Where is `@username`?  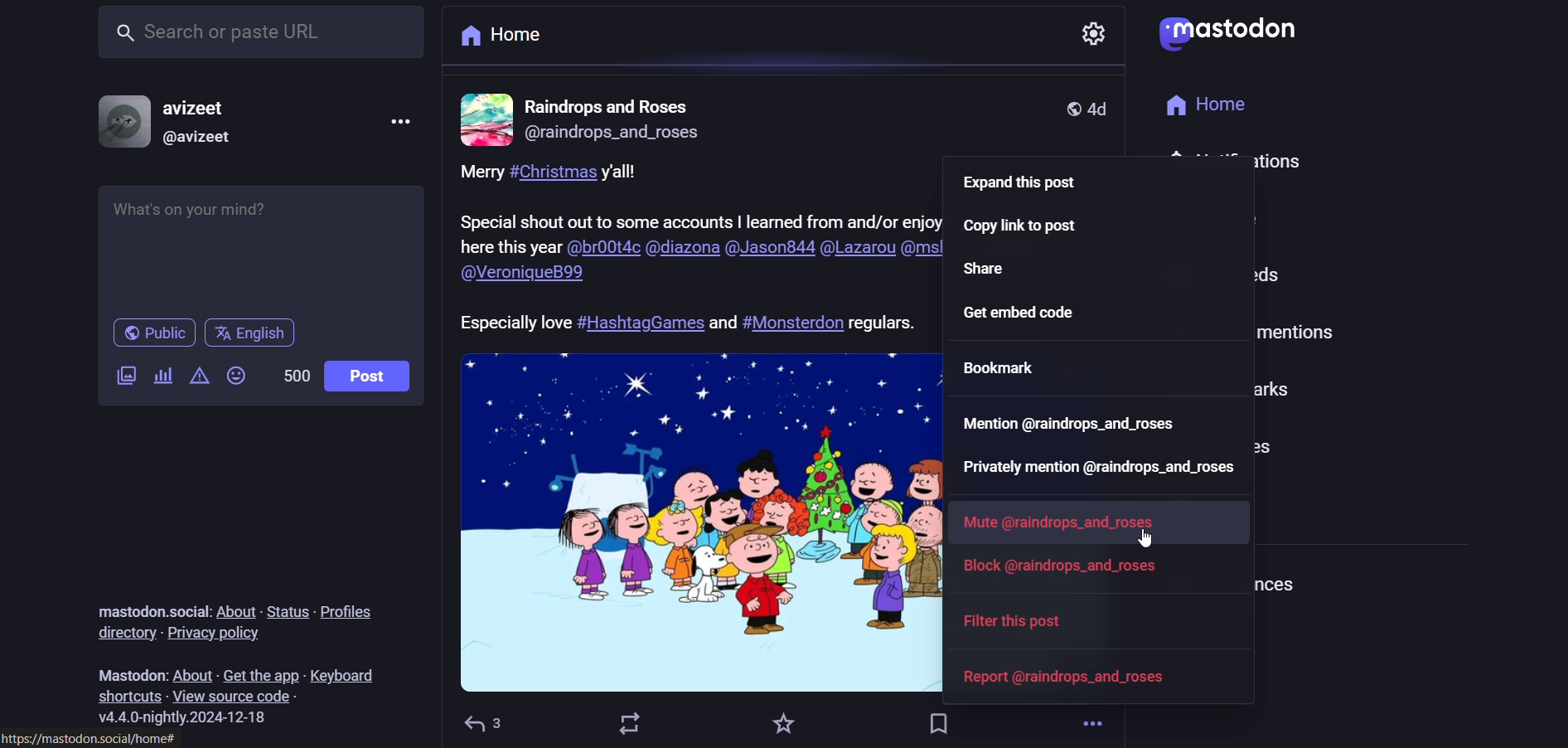
@username is located at coordinates (609, 138).